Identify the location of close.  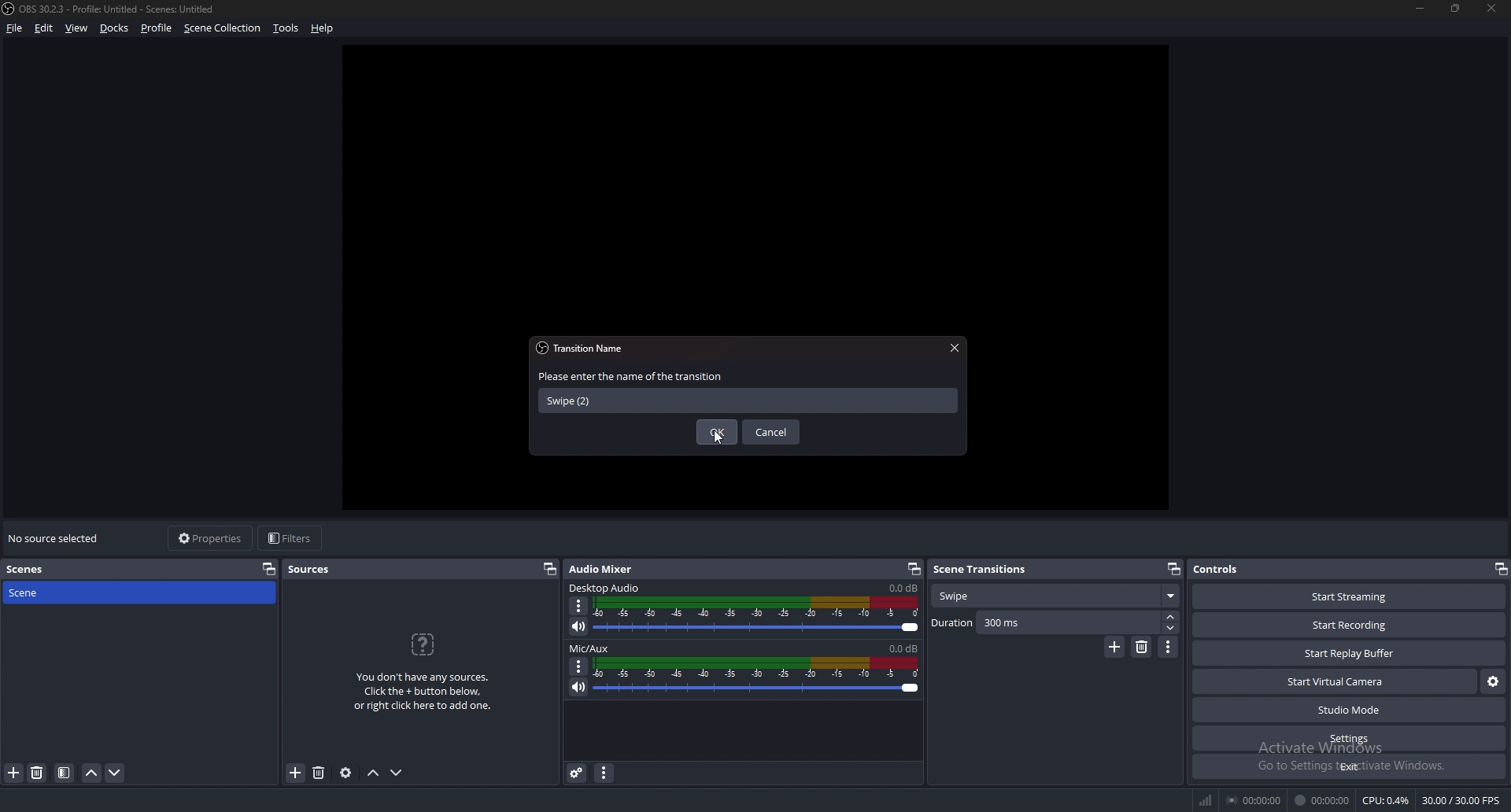
(1489, 9).